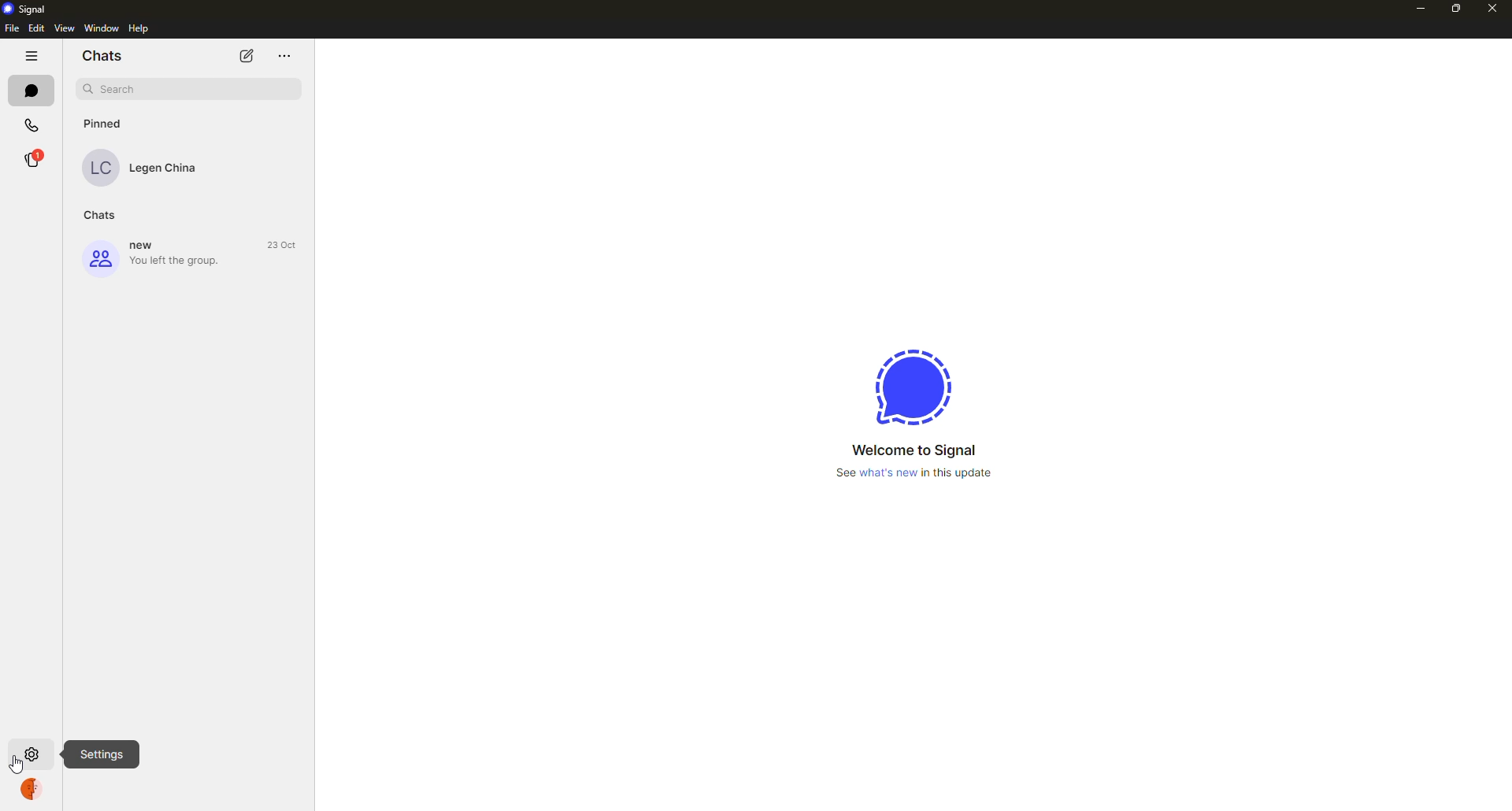 The image size is (1512, 811). Describe the element at coordinates (191, 90) in the screenshot. I see `search` at that location.